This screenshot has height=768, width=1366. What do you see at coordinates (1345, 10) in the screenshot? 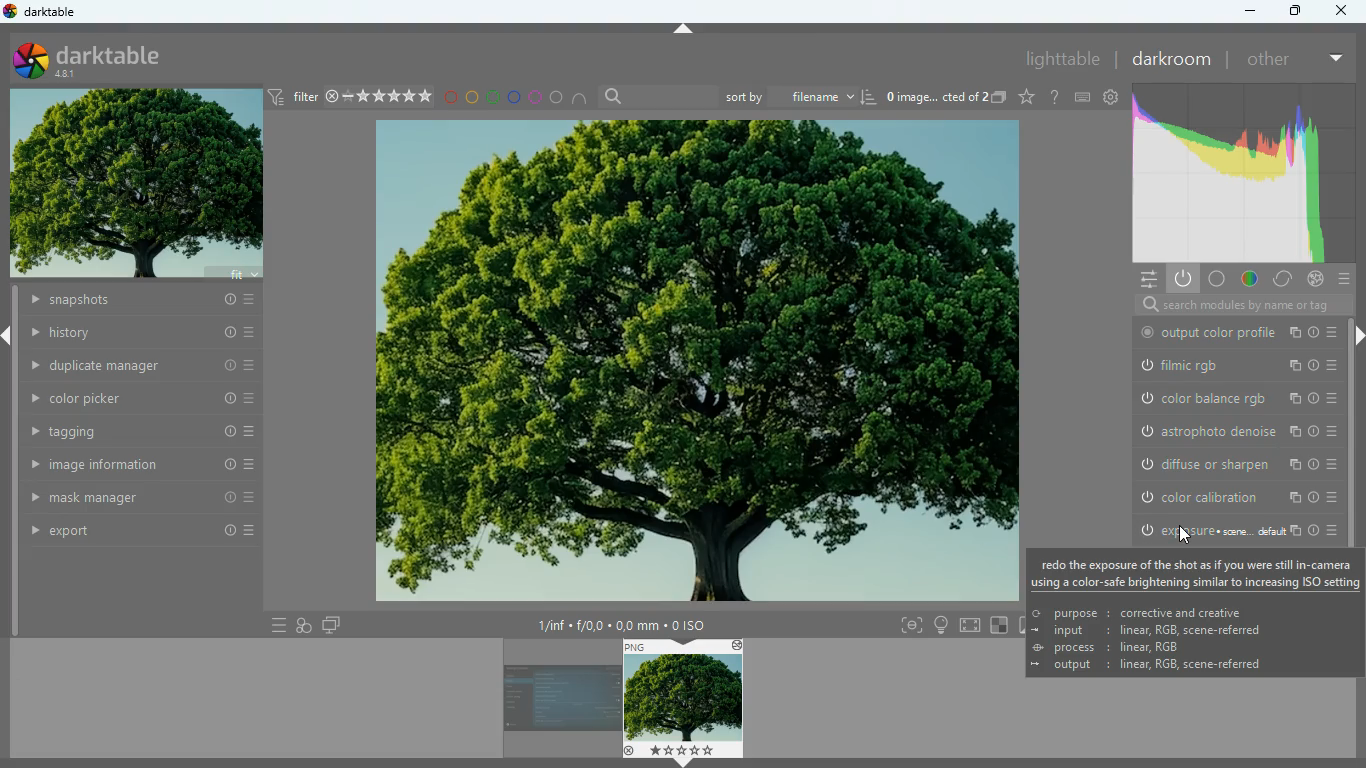
I see `close` at bounding box center [1345, 10].